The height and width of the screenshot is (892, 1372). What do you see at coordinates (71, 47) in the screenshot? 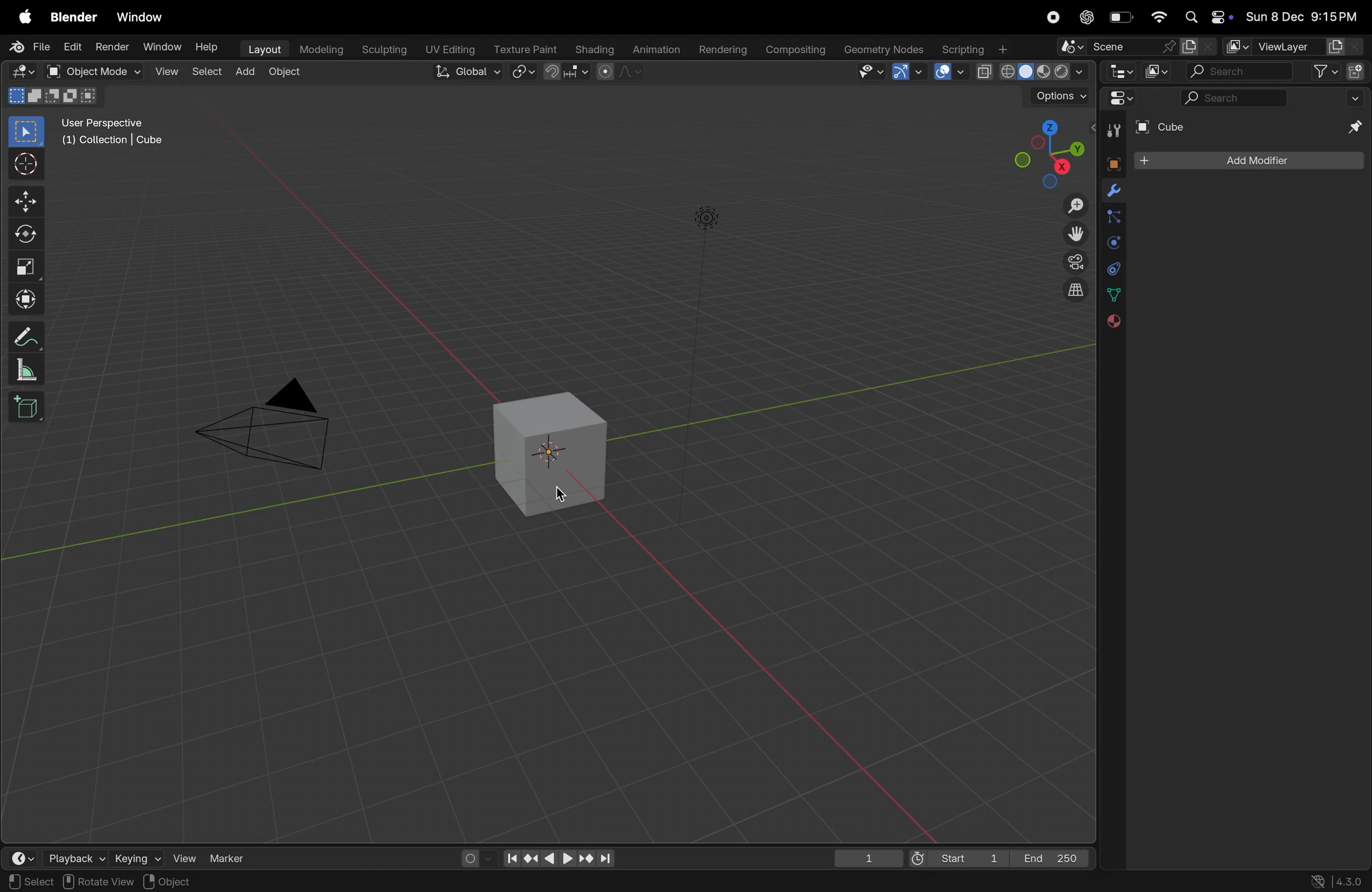
I see `edit` at bounding box center [71, 47].